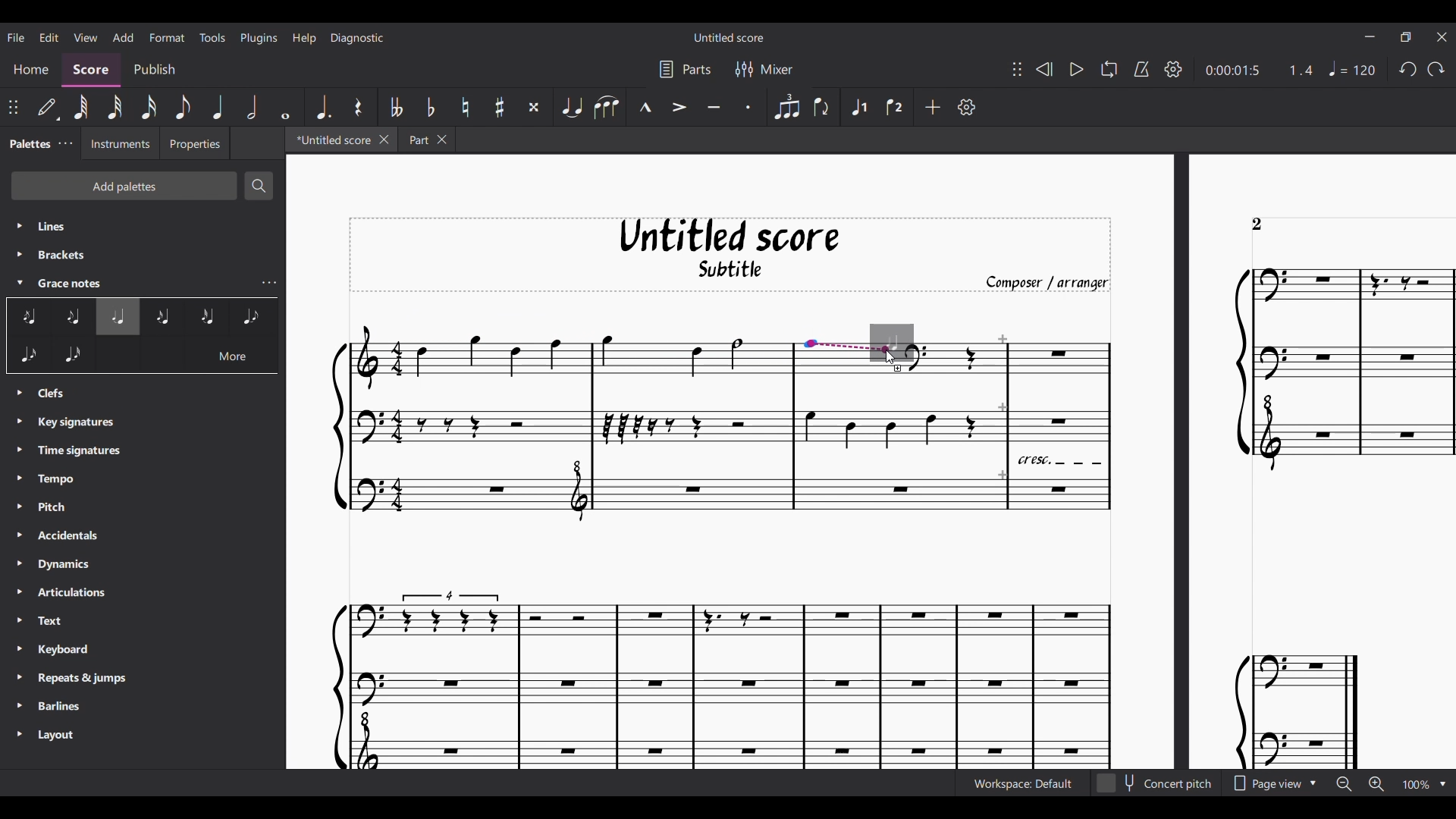 This screenshot has height=819, width=1456. Describe the element at coordinates (16, 37) in the screenshot. I see `File menu` at that location.